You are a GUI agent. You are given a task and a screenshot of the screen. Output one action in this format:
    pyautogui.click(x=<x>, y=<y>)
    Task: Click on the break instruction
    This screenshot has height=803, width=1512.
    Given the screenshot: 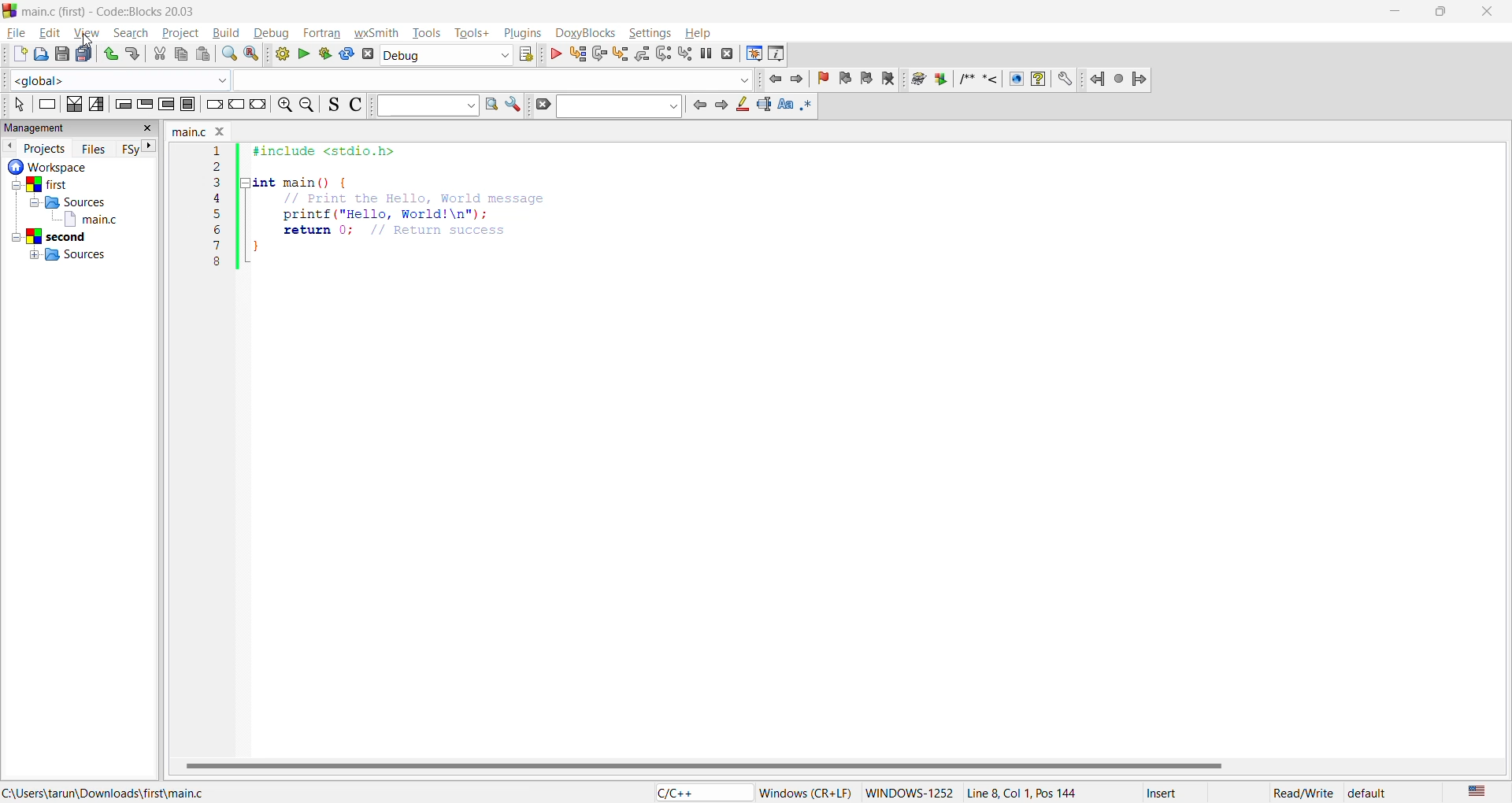 What is the action you would take?
    pyautogui.click(x=211, y=105)
    